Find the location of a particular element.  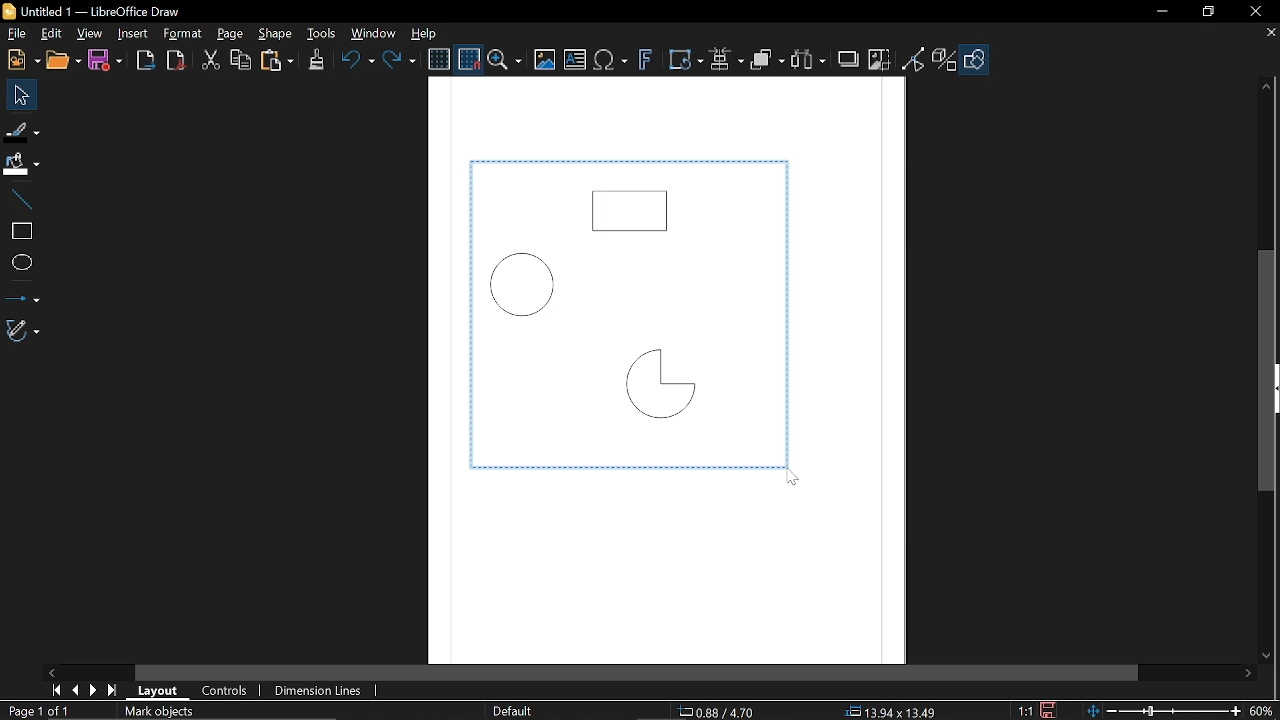

Curves and polygons is located at coordinates (22, 331).